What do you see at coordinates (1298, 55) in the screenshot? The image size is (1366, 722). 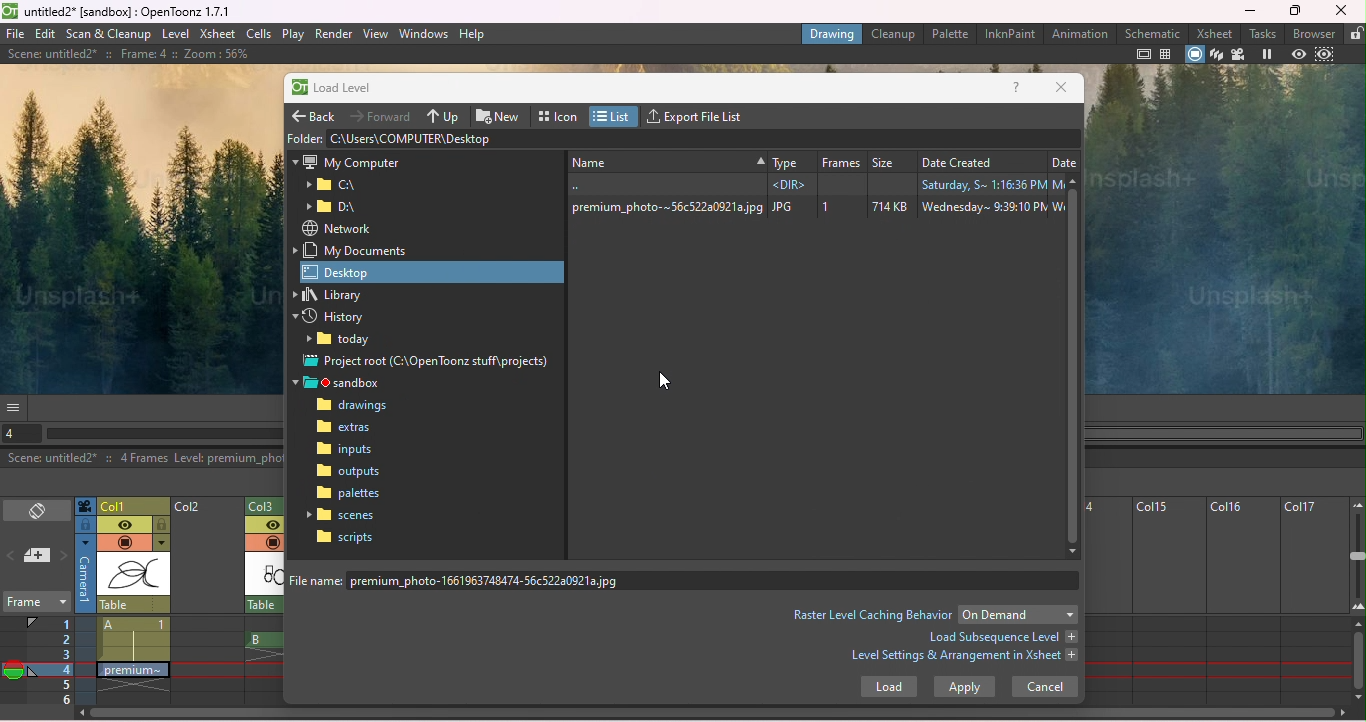 I see `Preview` at bounding box center [1298, 55].